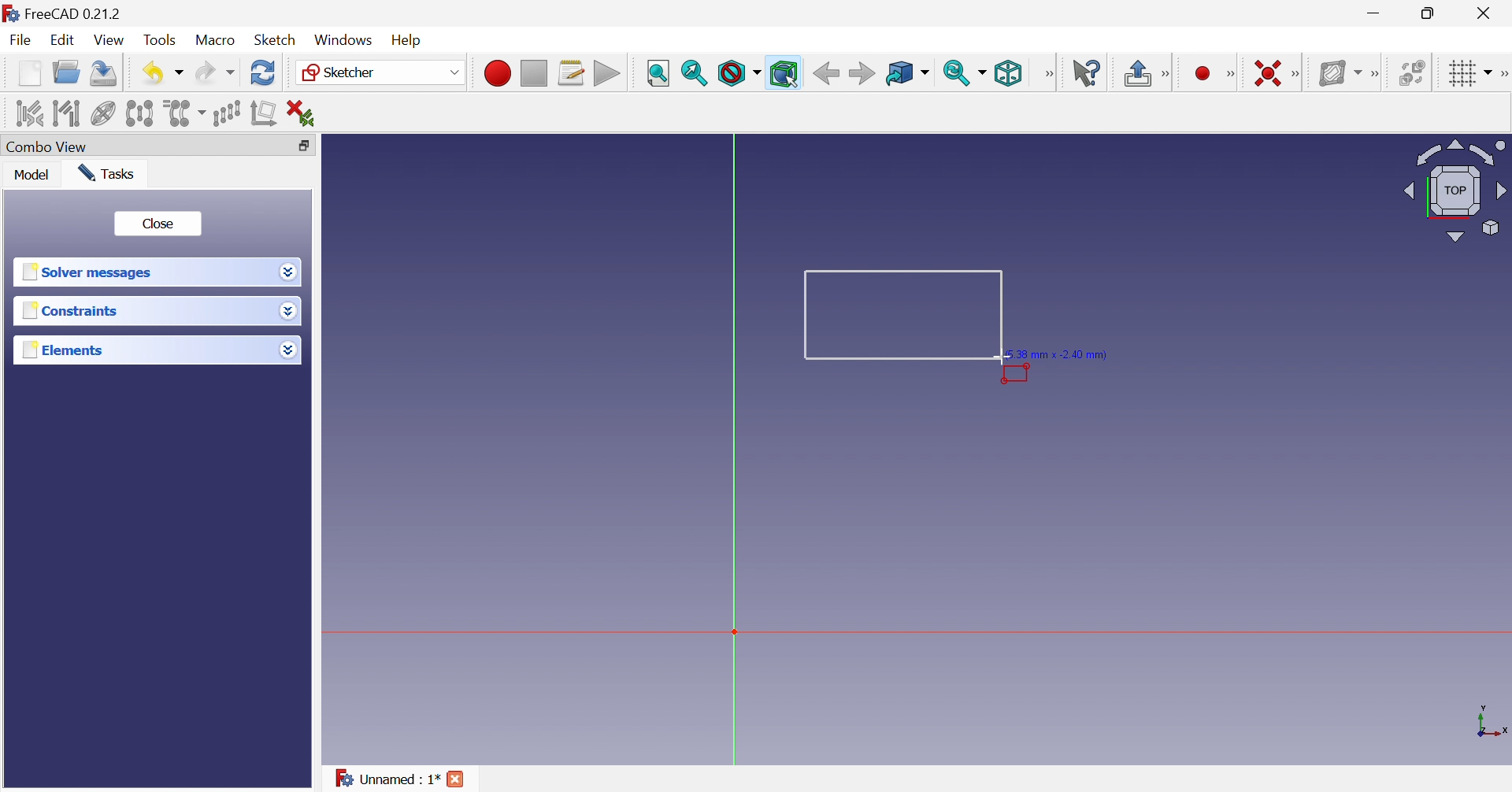  I want to click on Viewing angle, so click(1455, 192).